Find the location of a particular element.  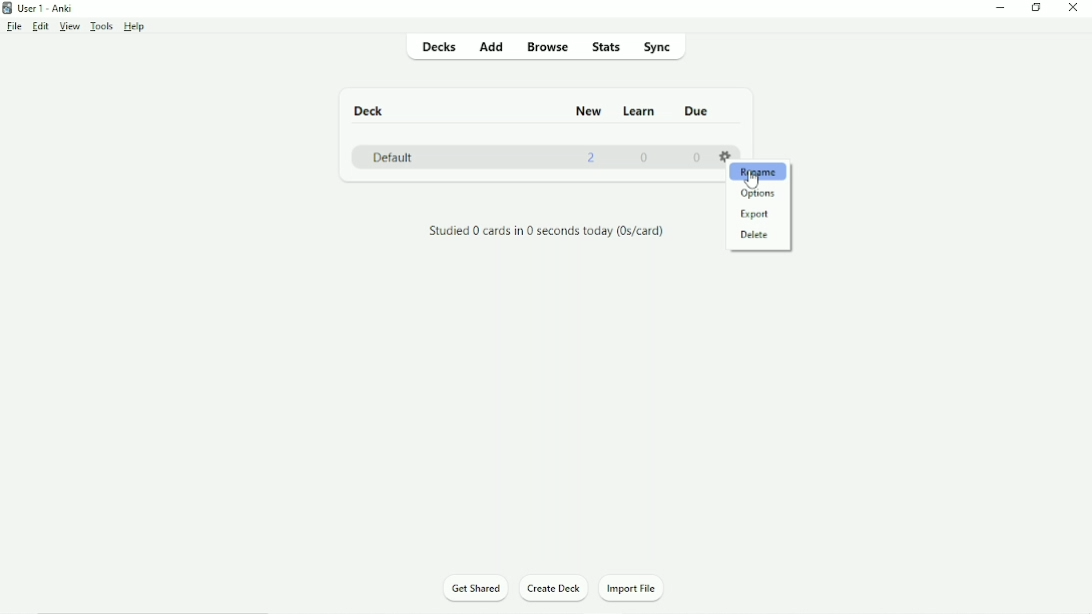

Import File is located at coordinates (640, 588).